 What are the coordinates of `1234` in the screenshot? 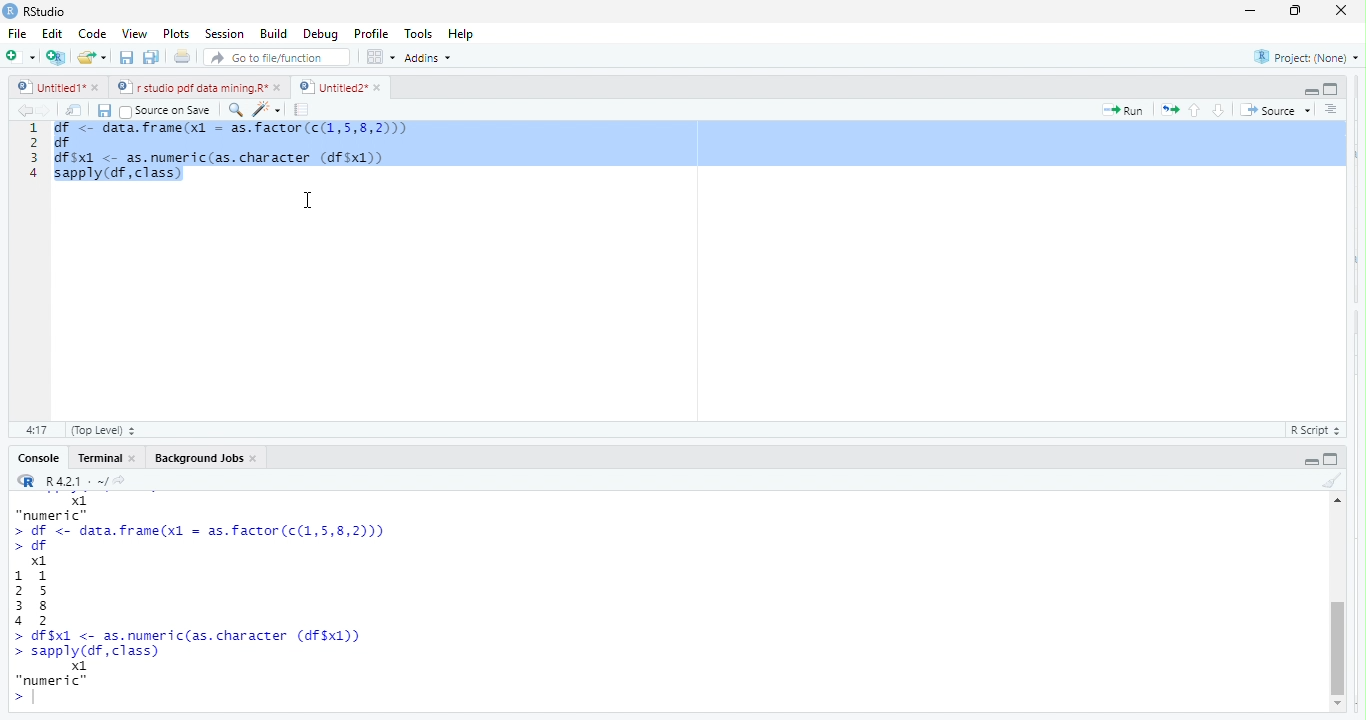 It's located at (26, 155).